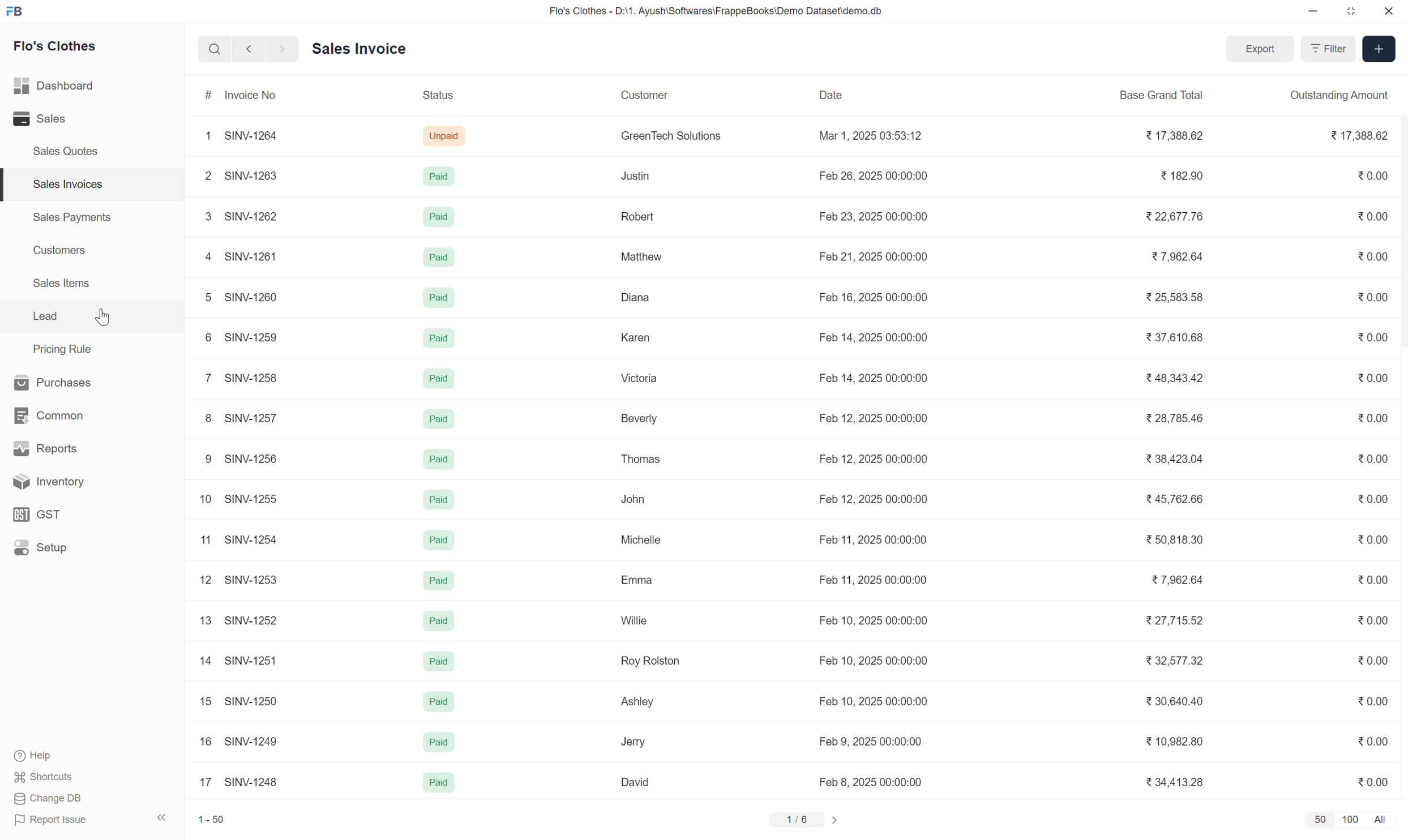 The image size is (1408, 840). I want to click on $f Shortcuts, so click(45, 775).